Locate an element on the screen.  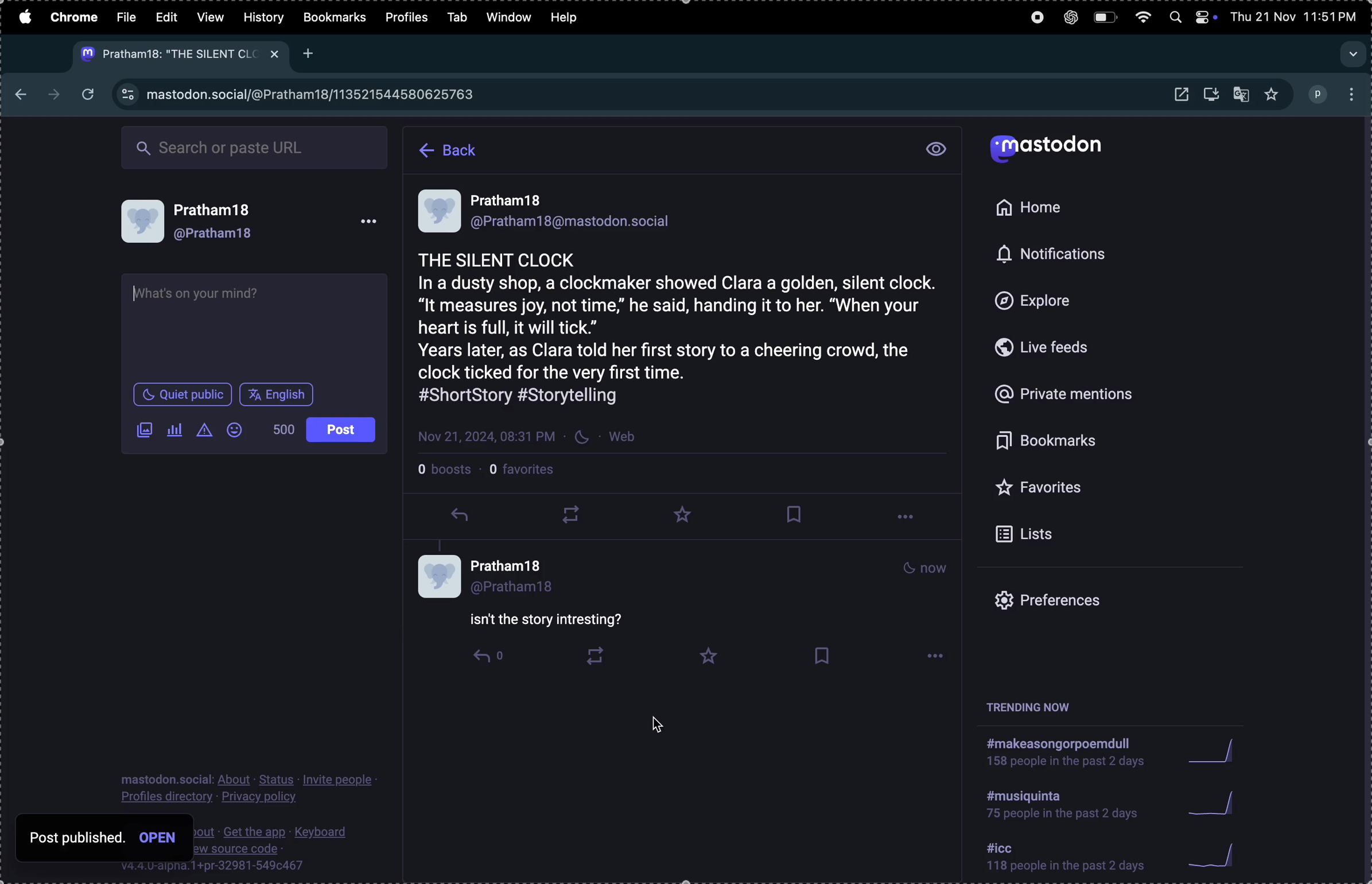
live feed is located at coordinates (1058, 347).